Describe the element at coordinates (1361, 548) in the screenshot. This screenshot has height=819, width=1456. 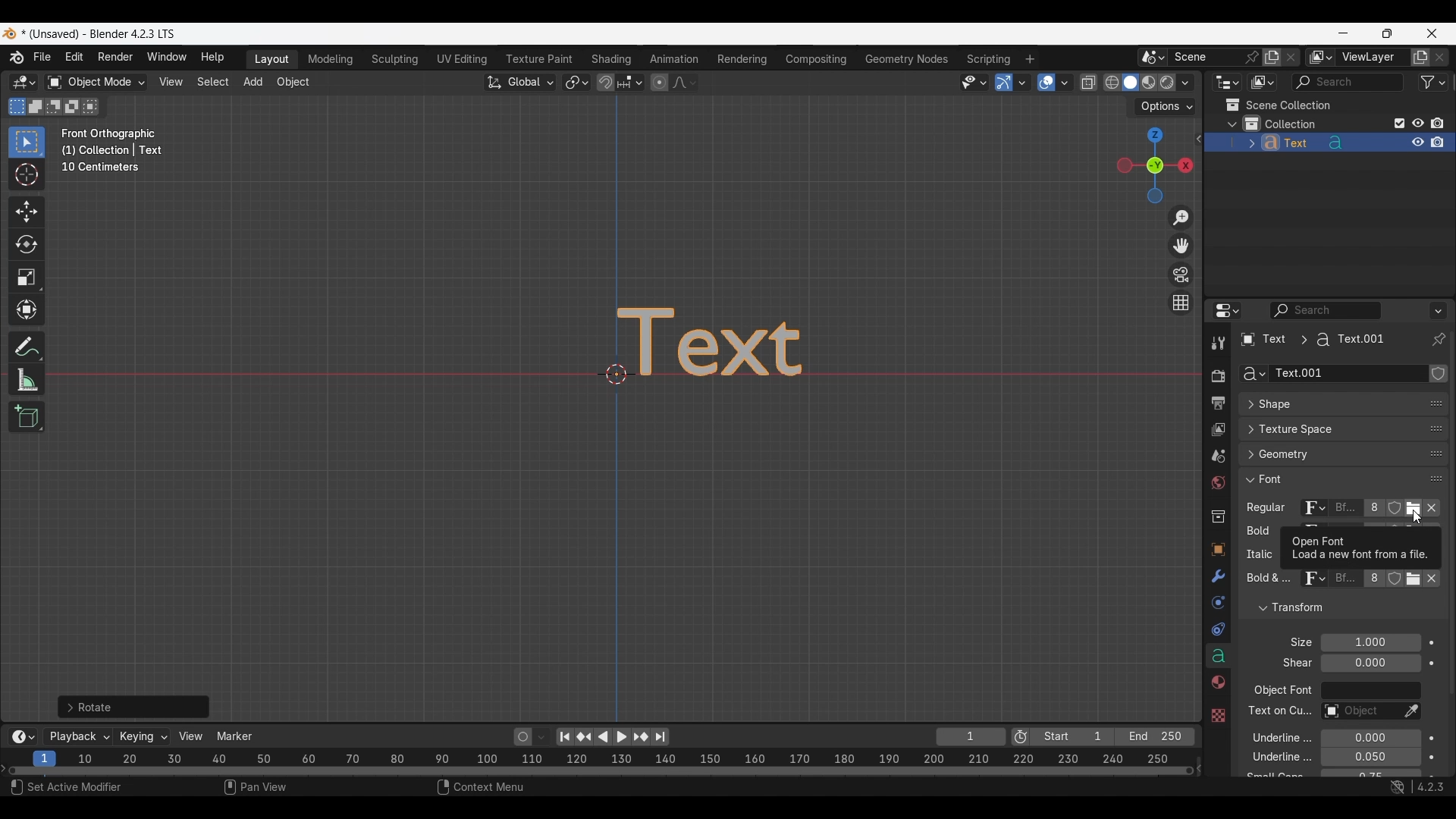
I see `Description of current icon being selected` at that location.